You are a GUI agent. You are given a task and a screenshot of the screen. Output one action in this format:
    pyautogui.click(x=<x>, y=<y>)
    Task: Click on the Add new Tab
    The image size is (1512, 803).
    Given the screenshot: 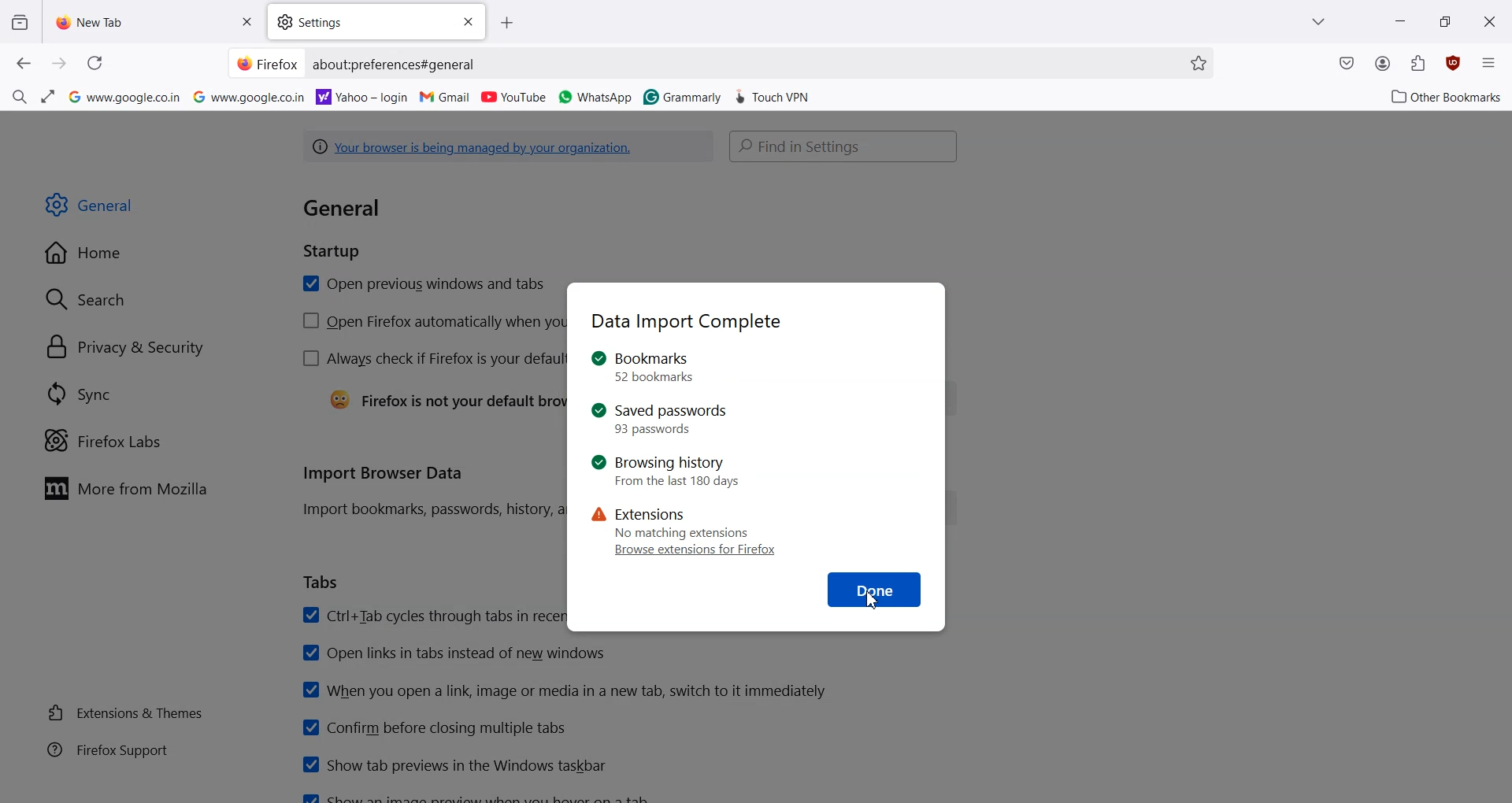 What is the action you would take?
    pyautogui.click(x=512, y=22)
    